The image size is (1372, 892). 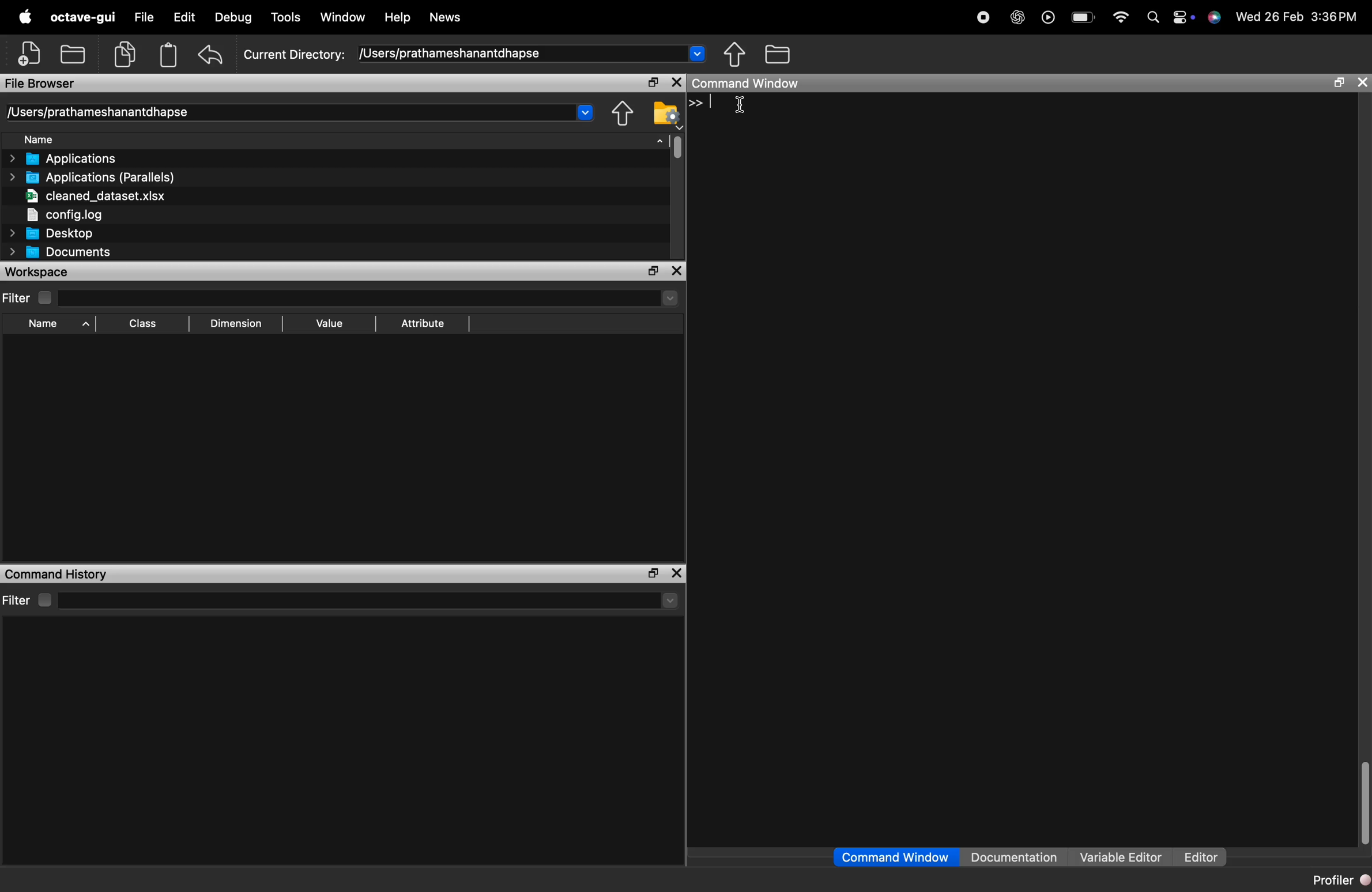 I want to click on play, so click(x=1051, y=17).